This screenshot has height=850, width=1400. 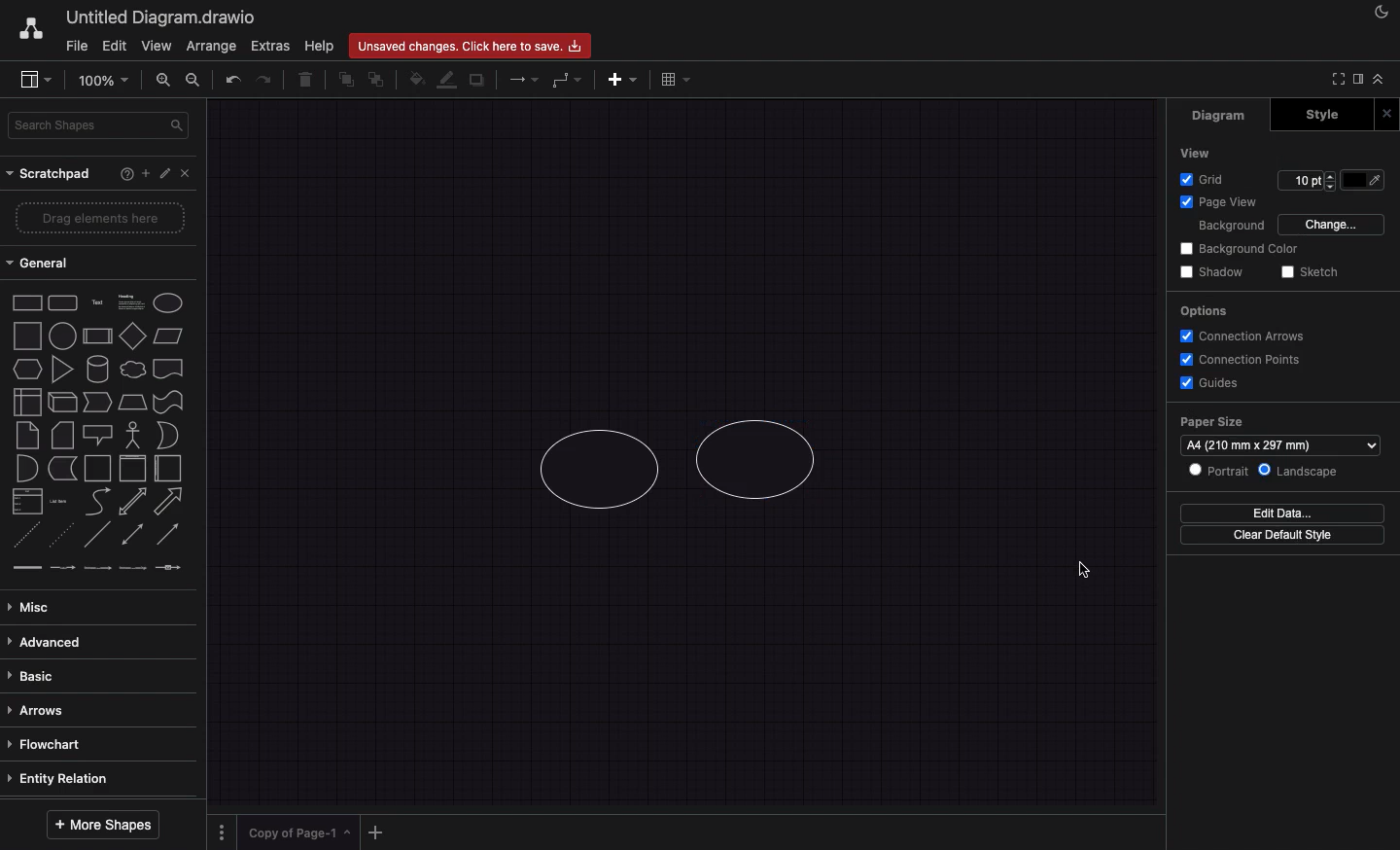 What do you see at coordinates (270, 45) in the screenshot?
I see `extras` at bounding box center [270, 45].